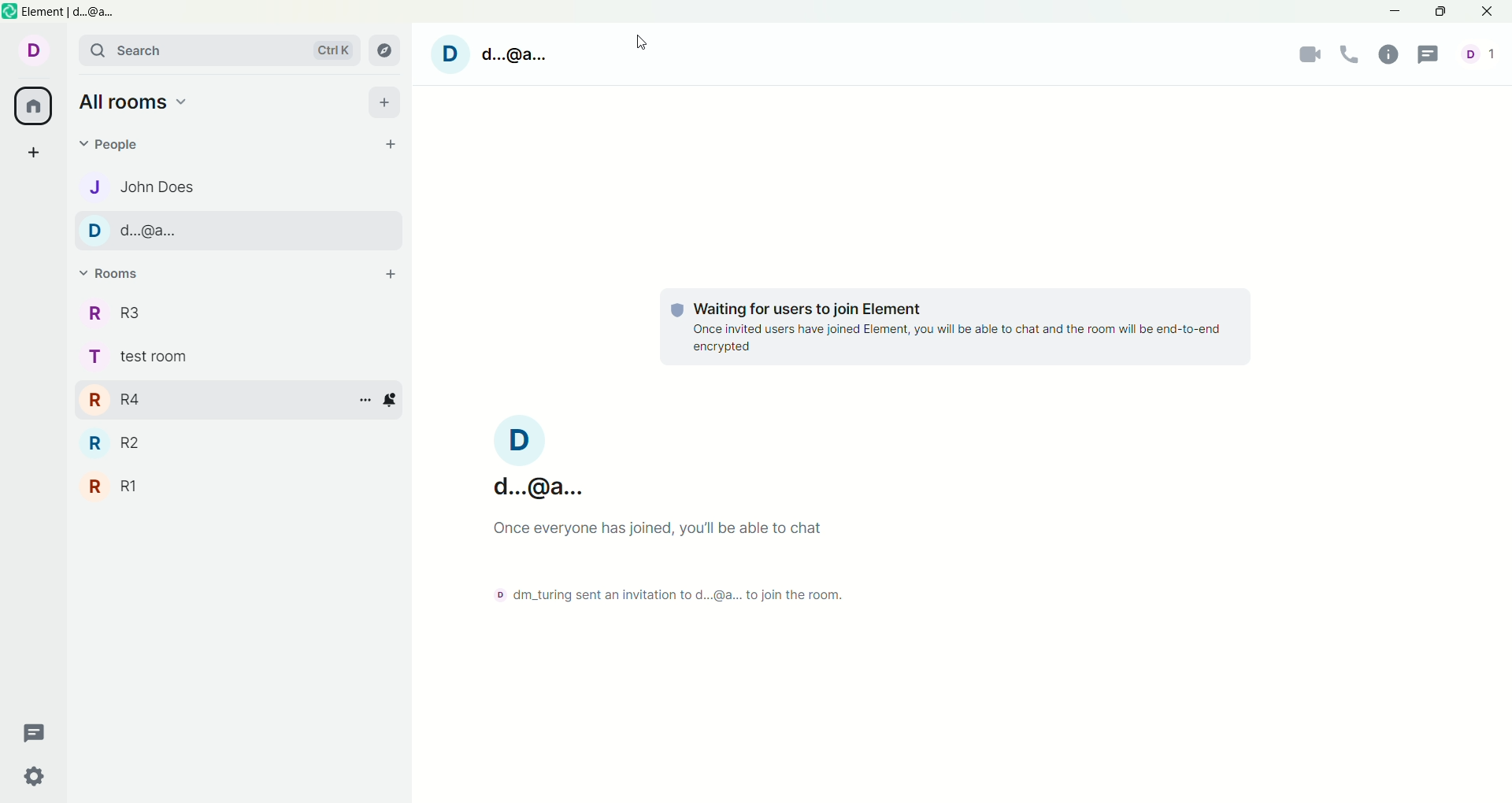 The height and width of the screenshot is (803, 1512). What do you see at coordinates (34, 106) in the screenshot?
I see `all rooms` at bounding box center [34, 106].